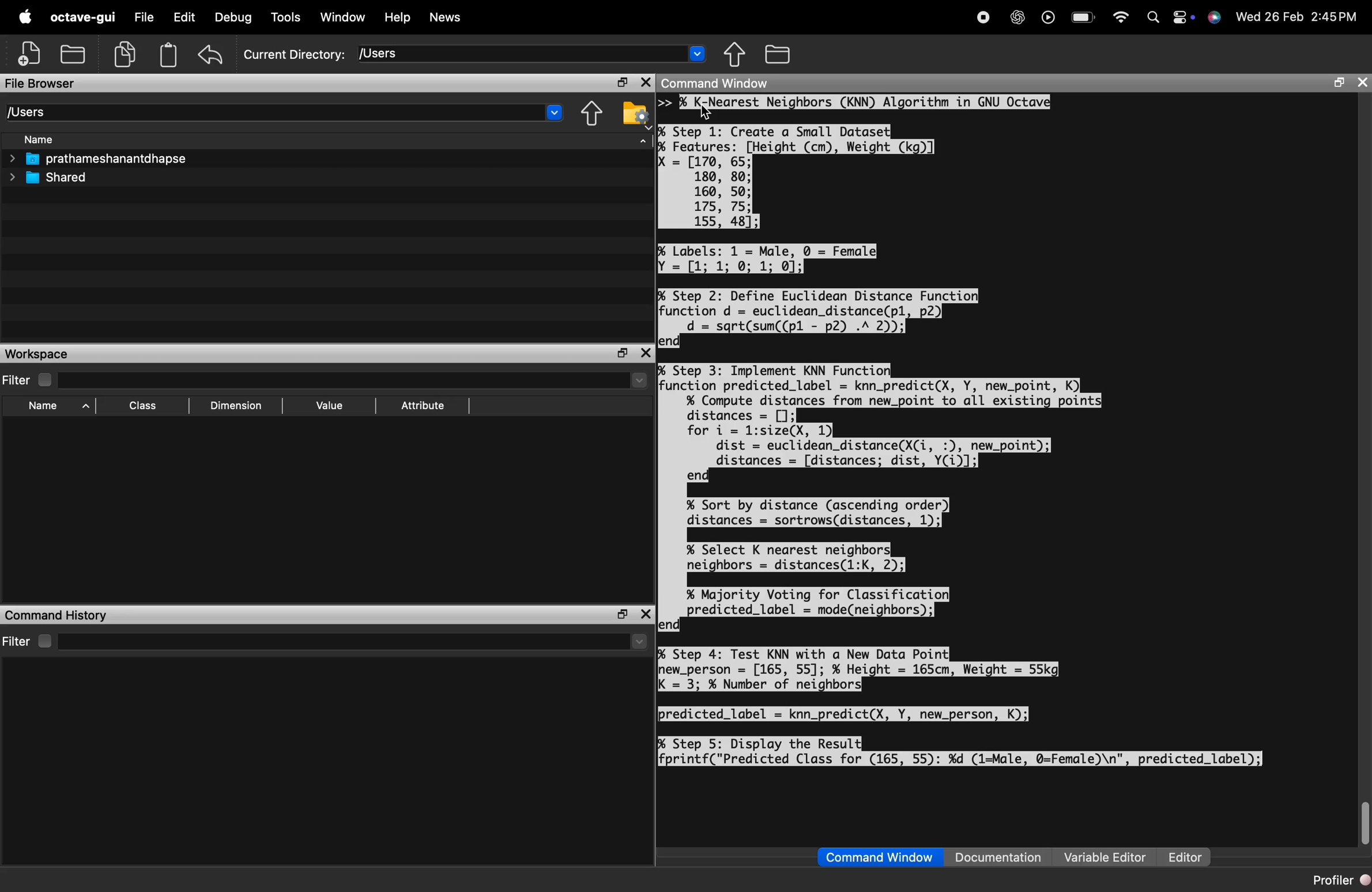  What do you see at coordinates (141, 14) in the screenshot?
I see `File` at bounding box center [141, 14].